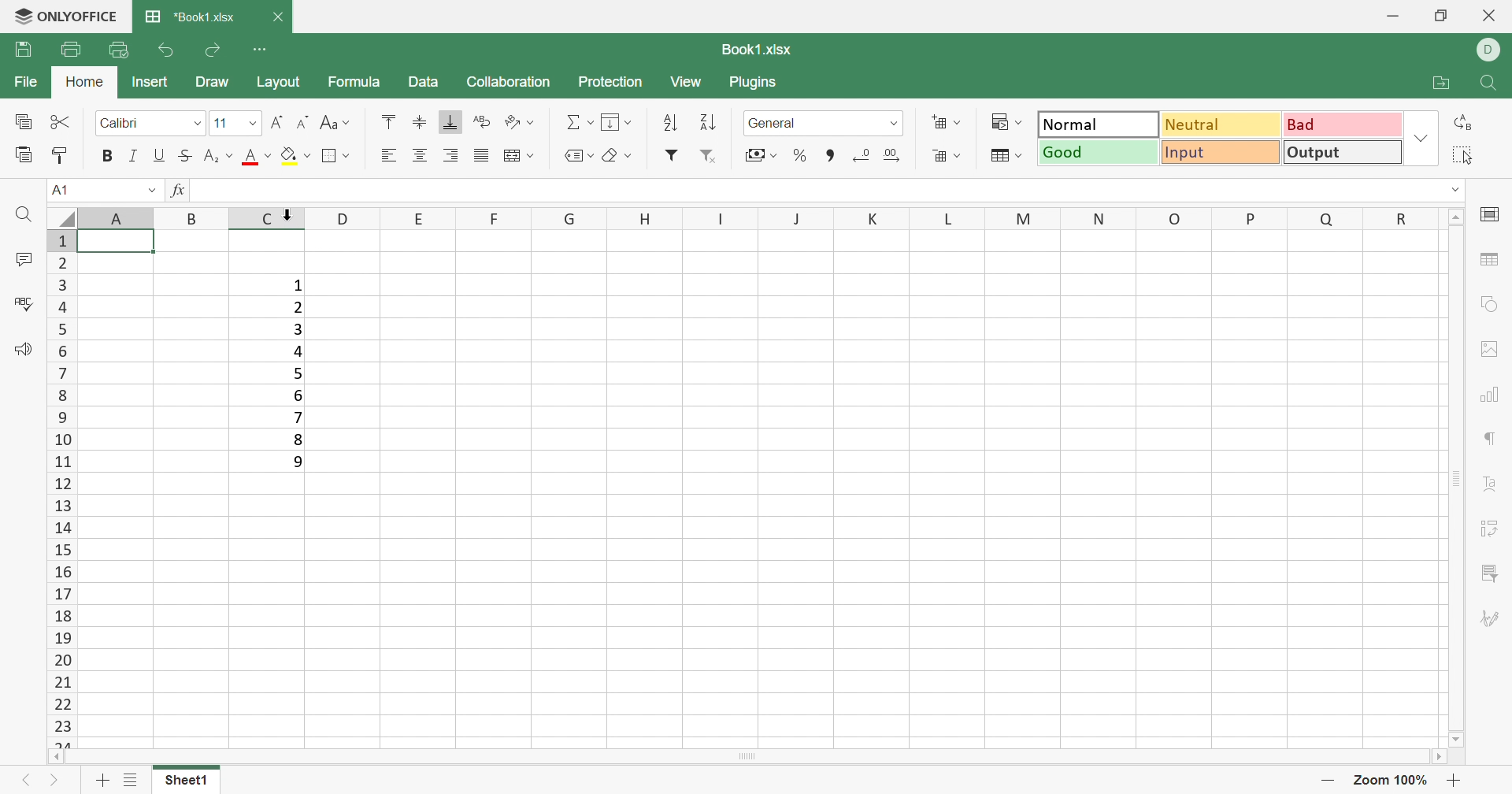 This screenshot has height=794, width=1512. I want to click on Scroll Right, so click(1444, 757).